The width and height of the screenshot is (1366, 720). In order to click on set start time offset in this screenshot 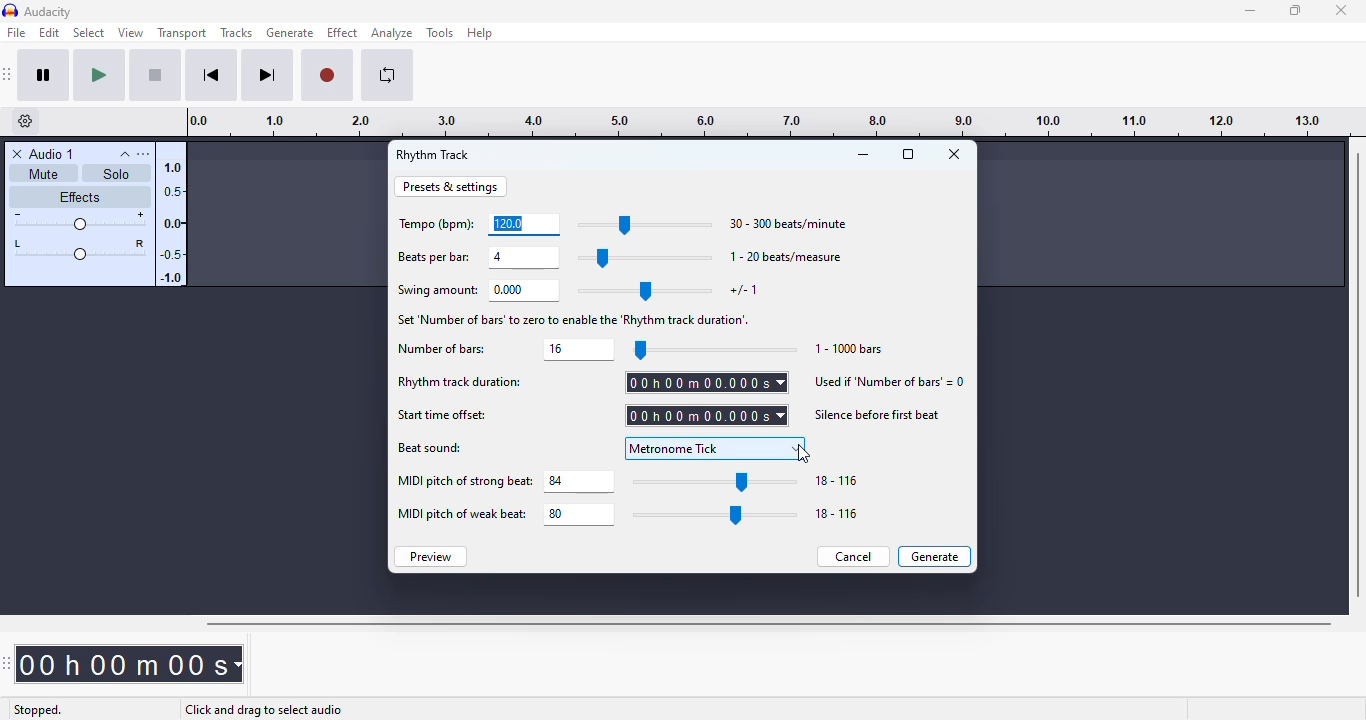, I will do `click(706, 415)`.